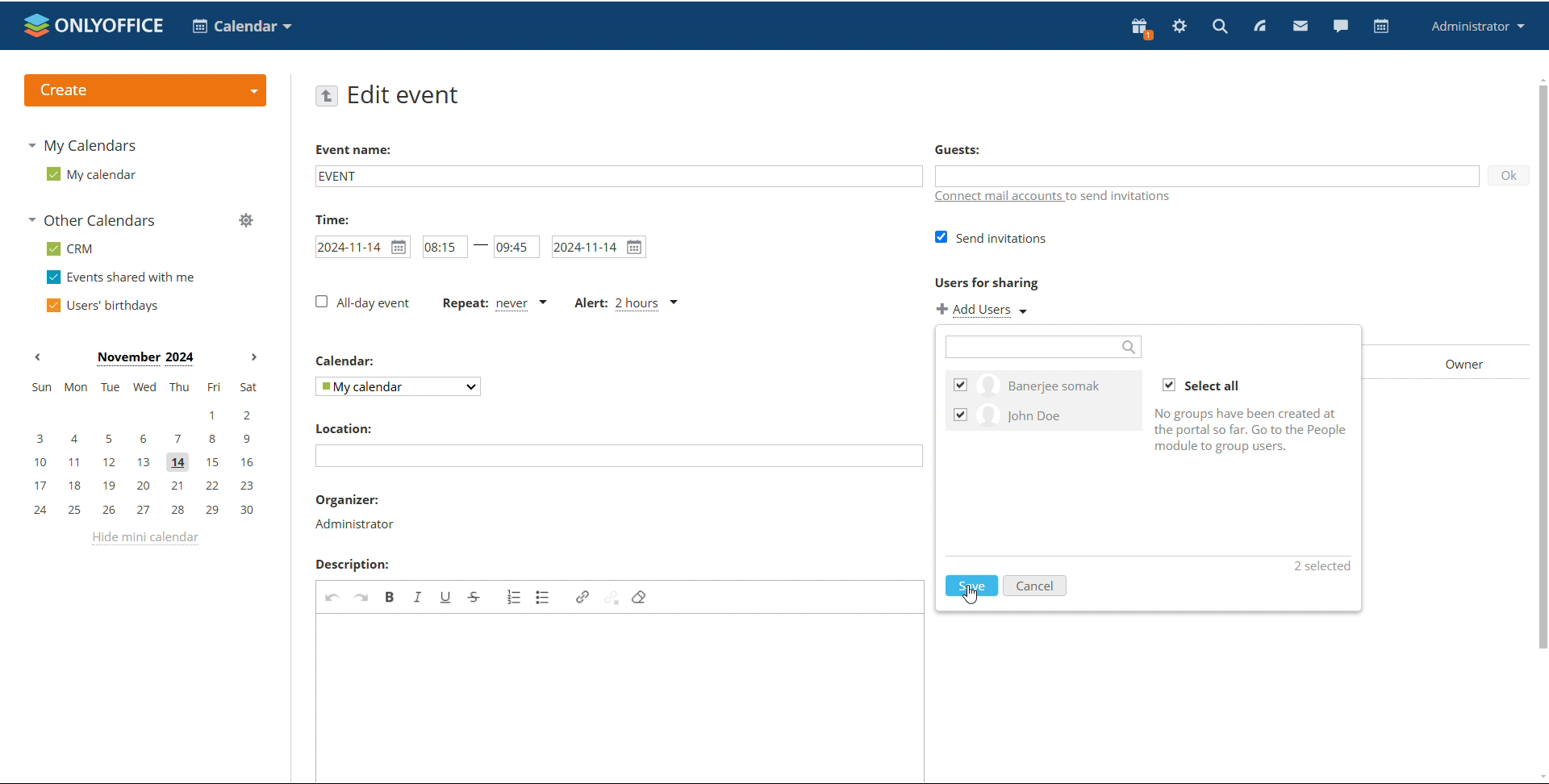 The image size is (1549, 784). Describe the element at coordinates (1259, 27) in the screenshot. I see `feed` at that location.